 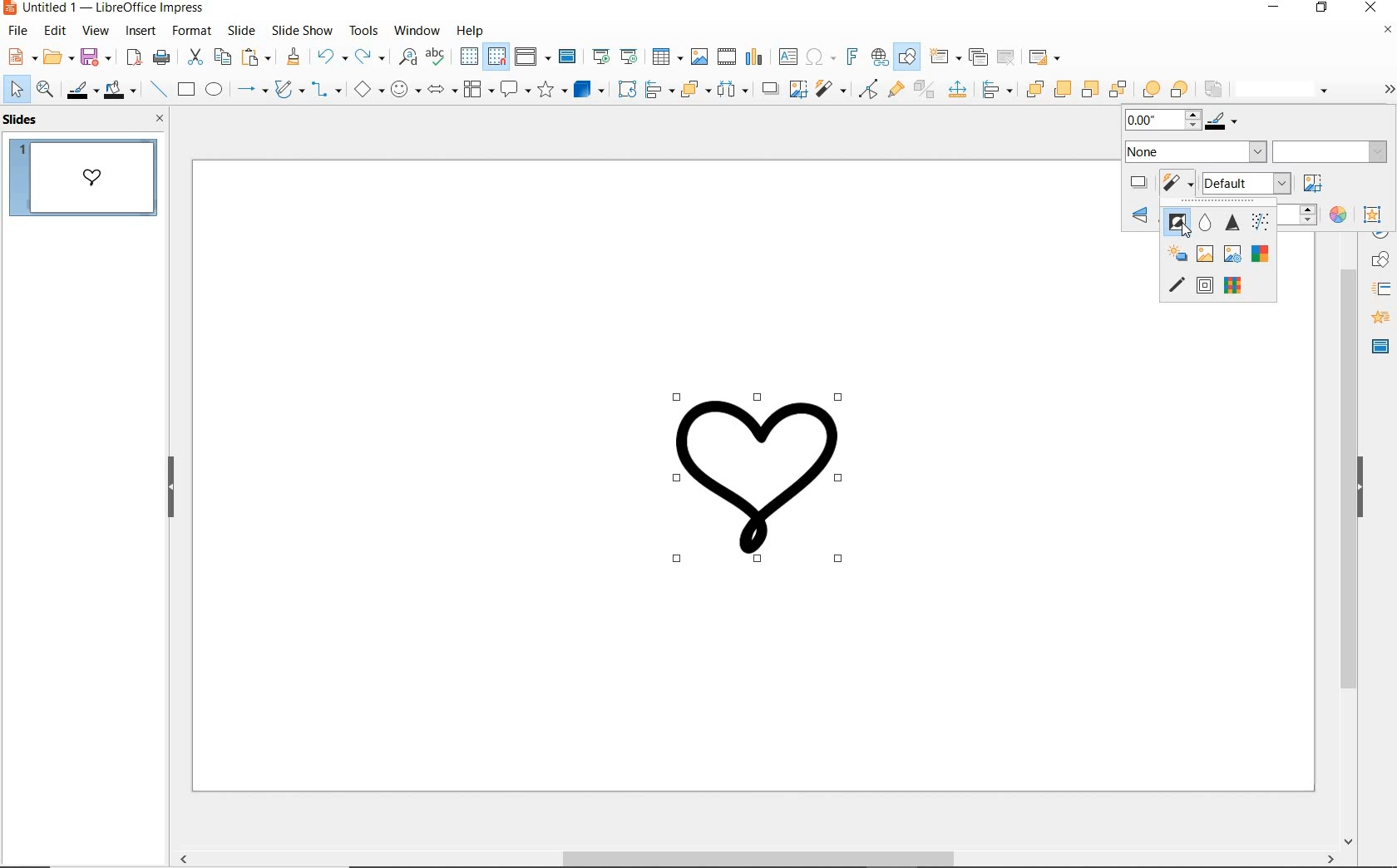 I want to click on bring forward, so click(x=1059, y=88).